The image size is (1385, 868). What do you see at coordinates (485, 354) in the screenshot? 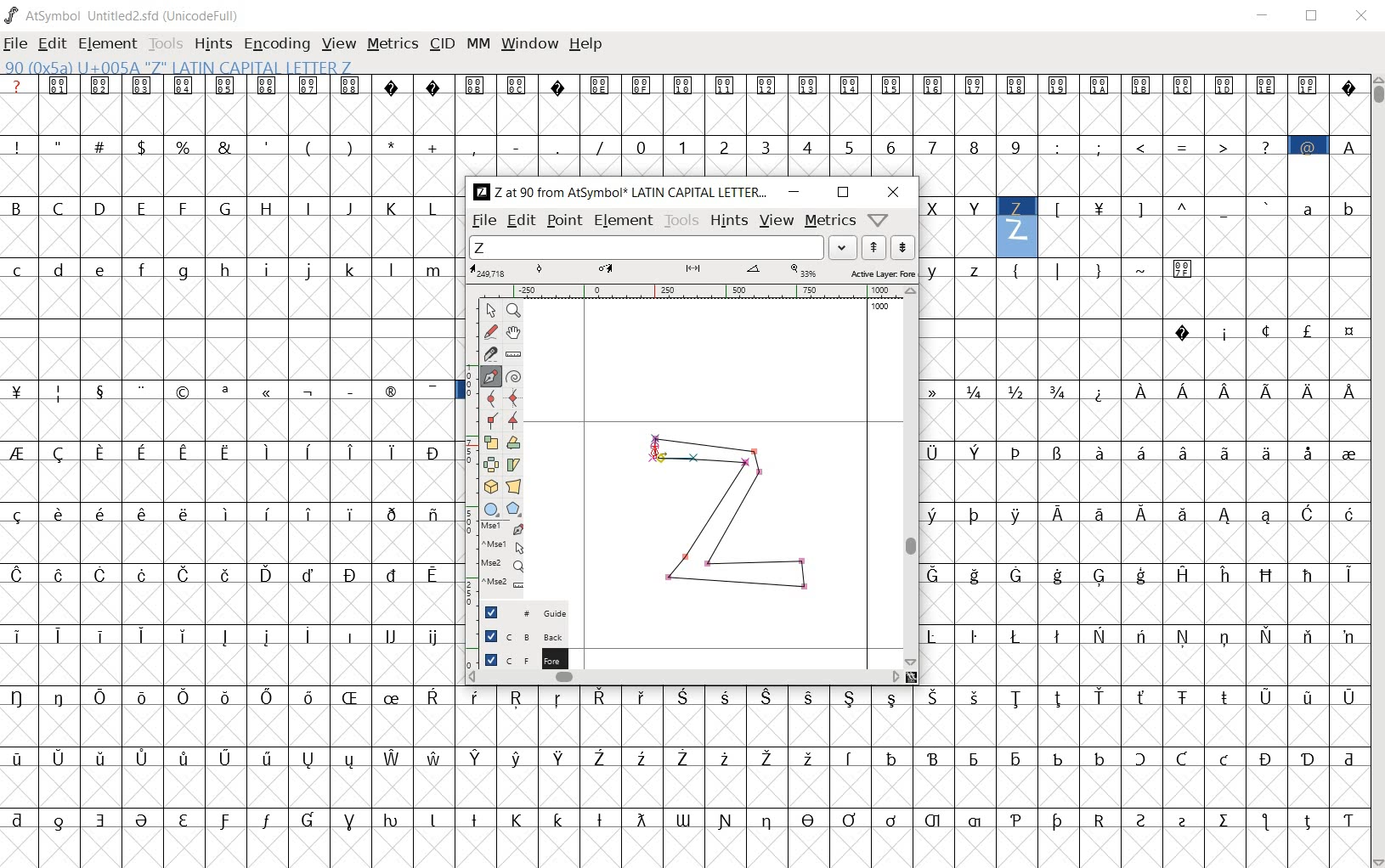
I see `cut splines in two` at bounding box center [485, 354].